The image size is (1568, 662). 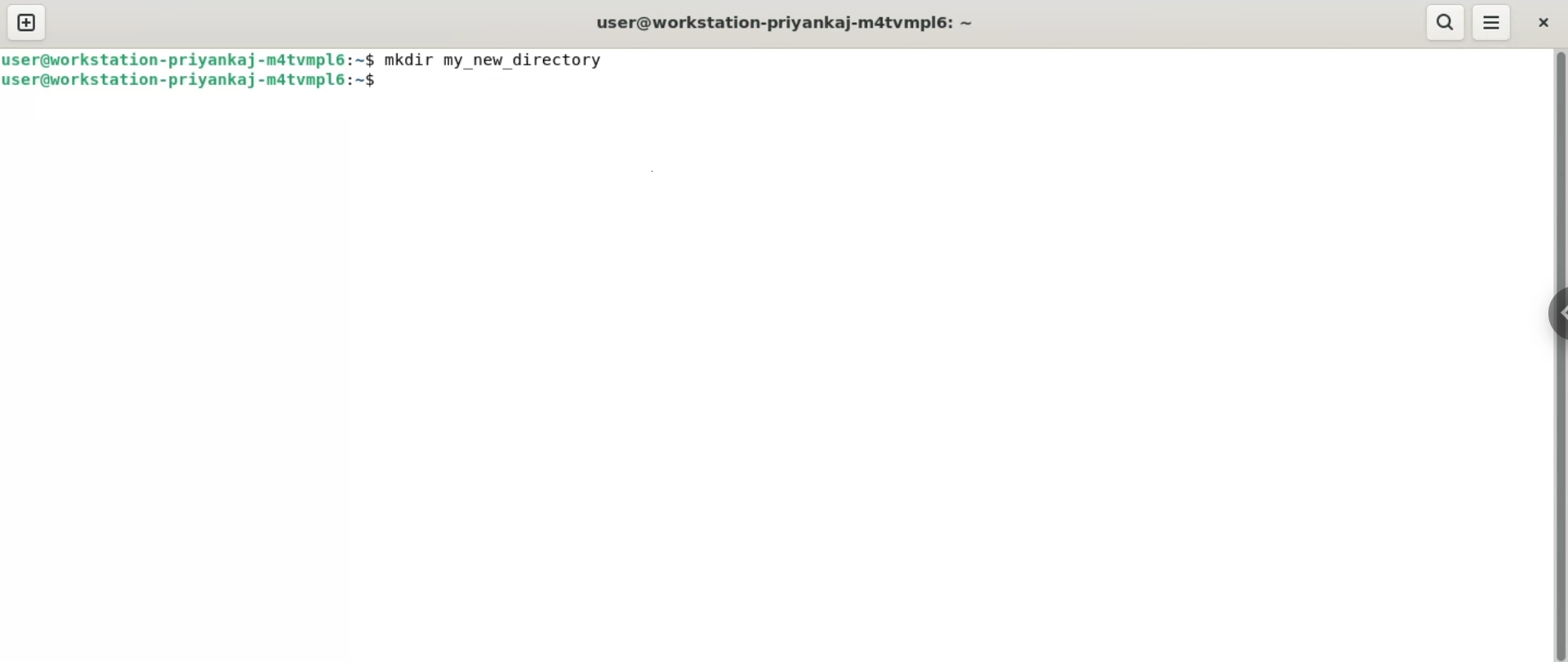 What do you see at coordinates (1558, 356) in the screenshot?
I see `vertical scroll bar` at bounding box center [1558, 356].